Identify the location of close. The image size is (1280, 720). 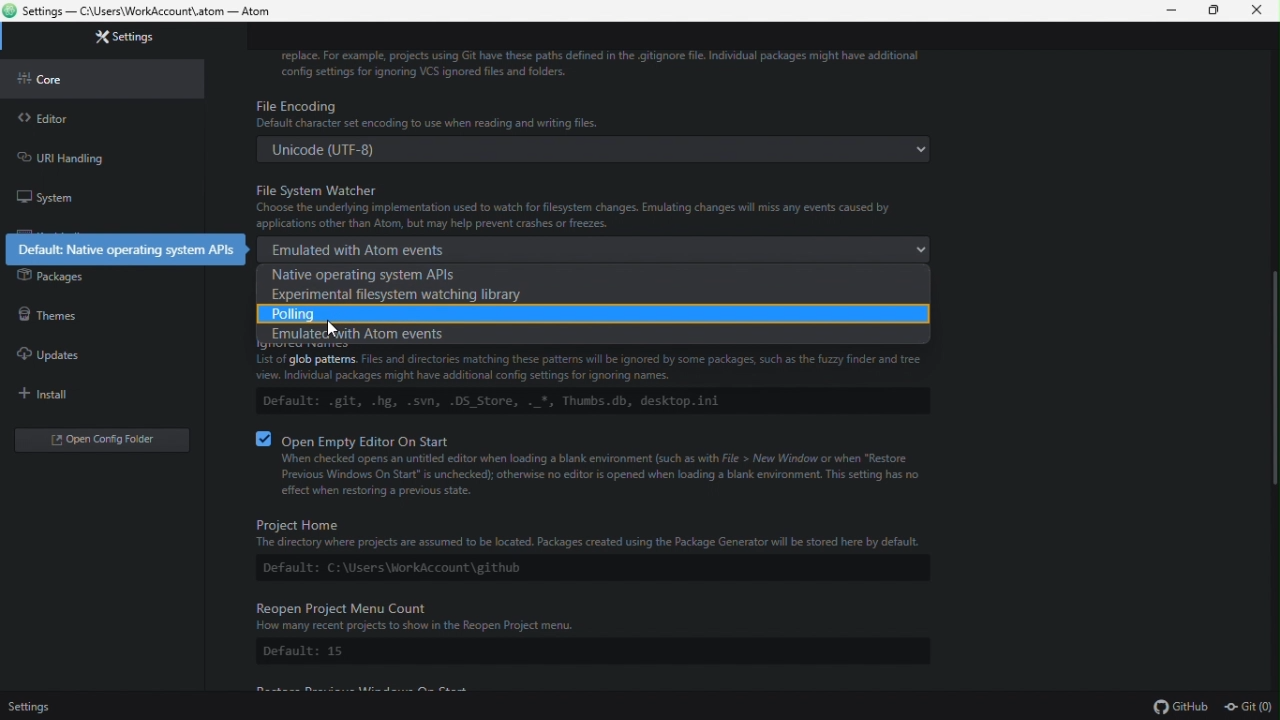
(1258, 11).